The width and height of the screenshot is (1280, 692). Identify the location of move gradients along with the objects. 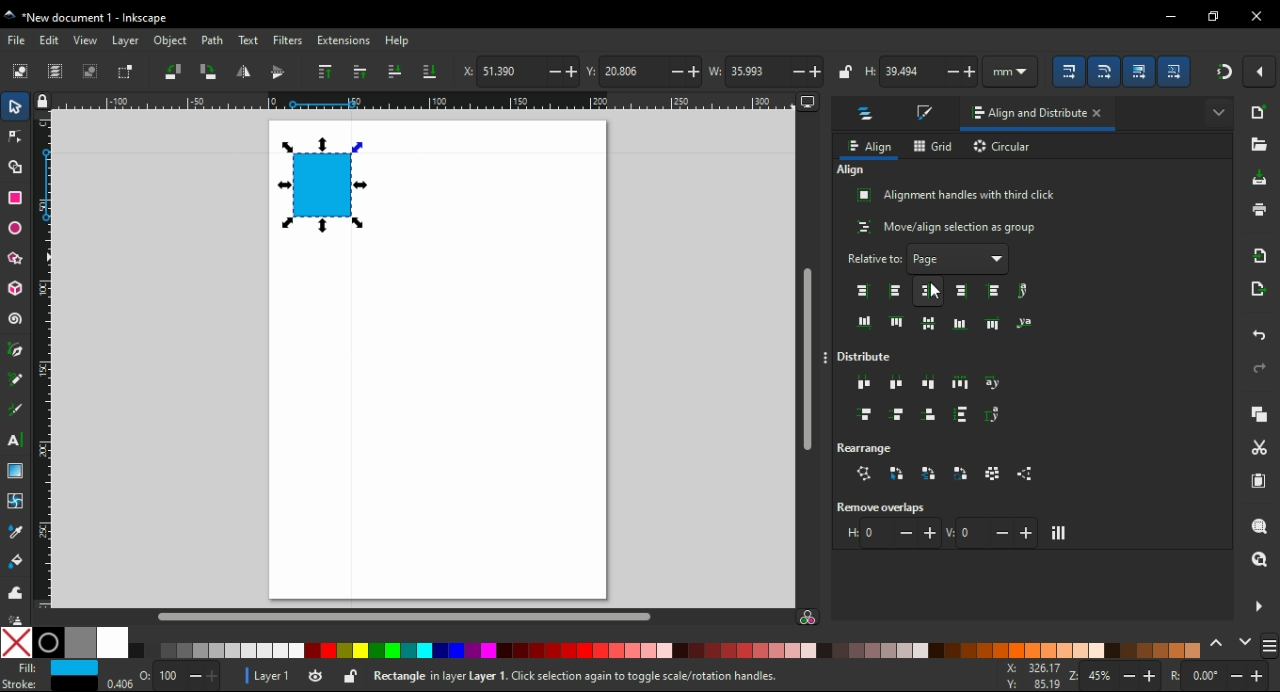
(1140, 71).